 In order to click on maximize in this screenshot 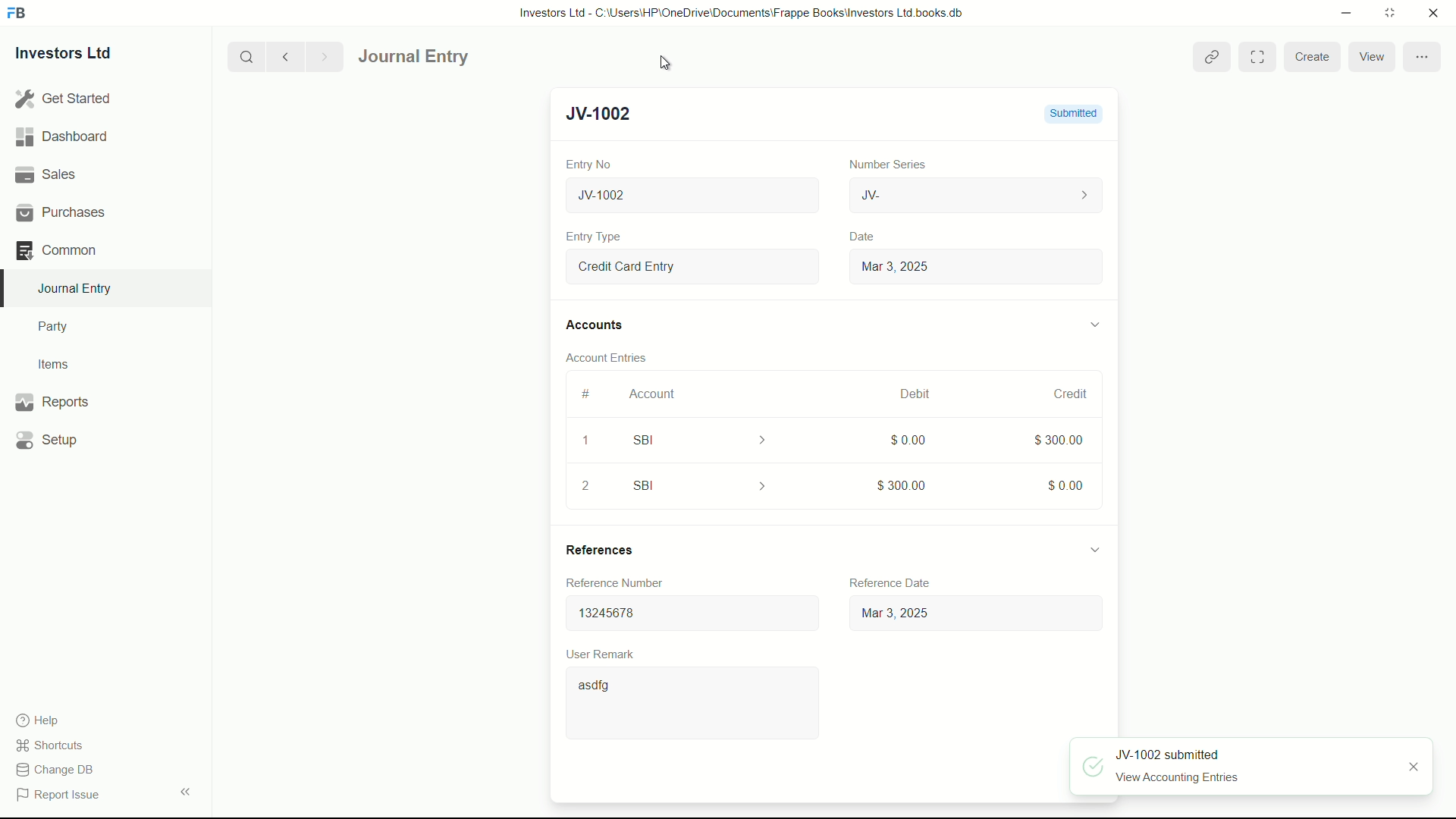, I will do `click(1389, 11)`.